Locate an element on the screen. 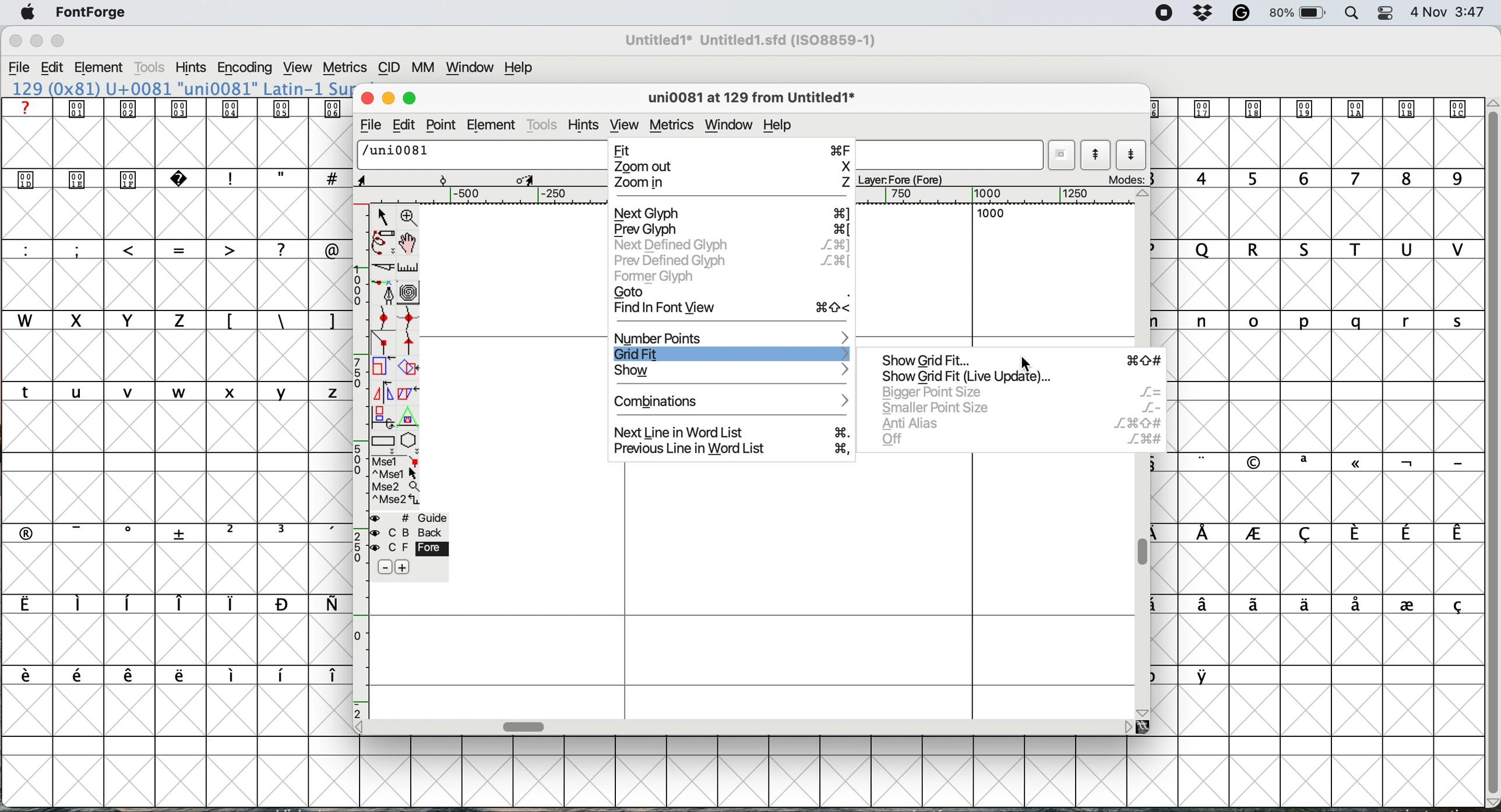 The width and height of the screenshot is (1501, 812). next glyph is located at coordinates (731, 214).